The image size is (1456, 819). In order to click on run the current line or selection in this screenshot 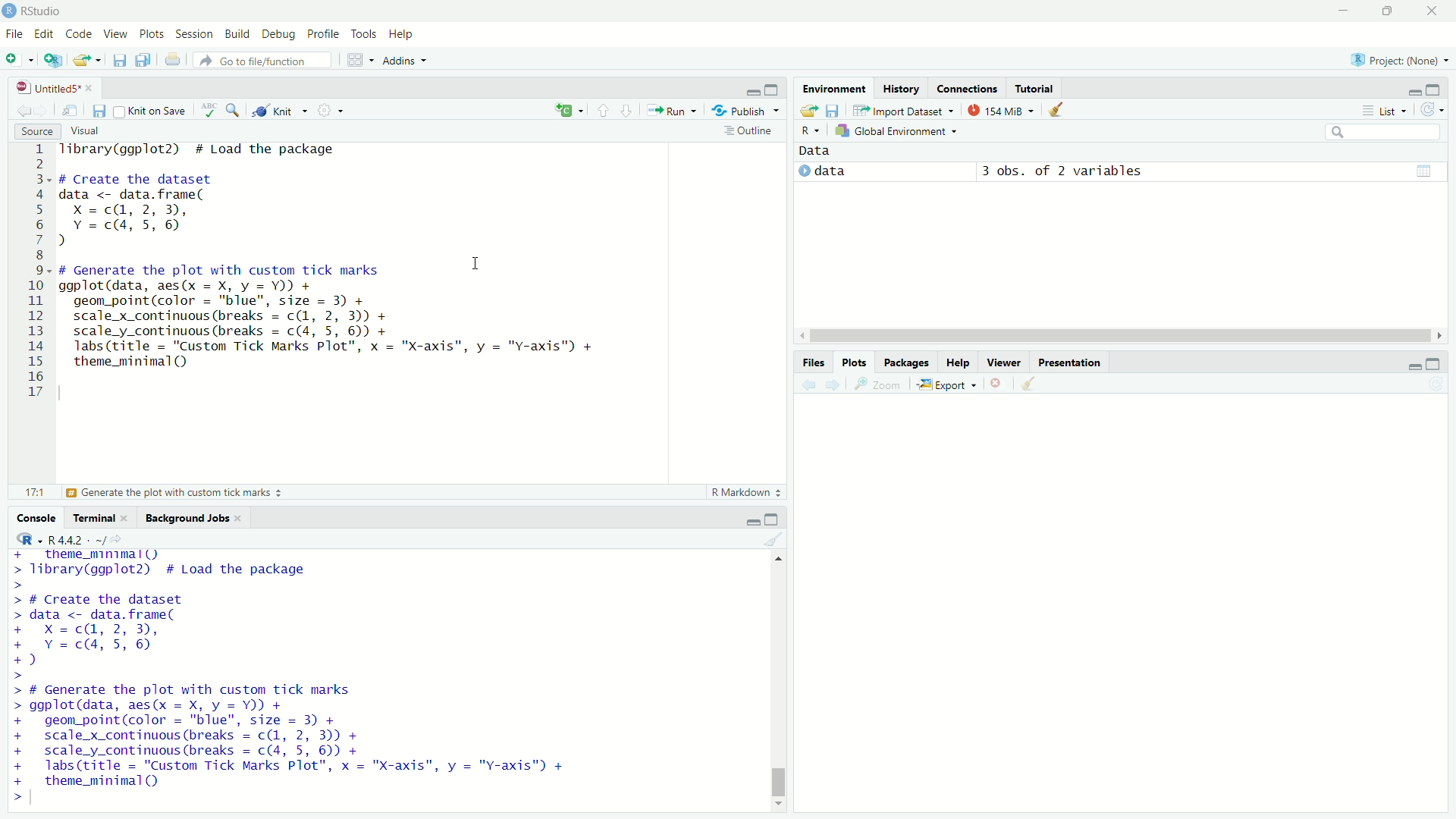, I will do `click(676, 111)`.